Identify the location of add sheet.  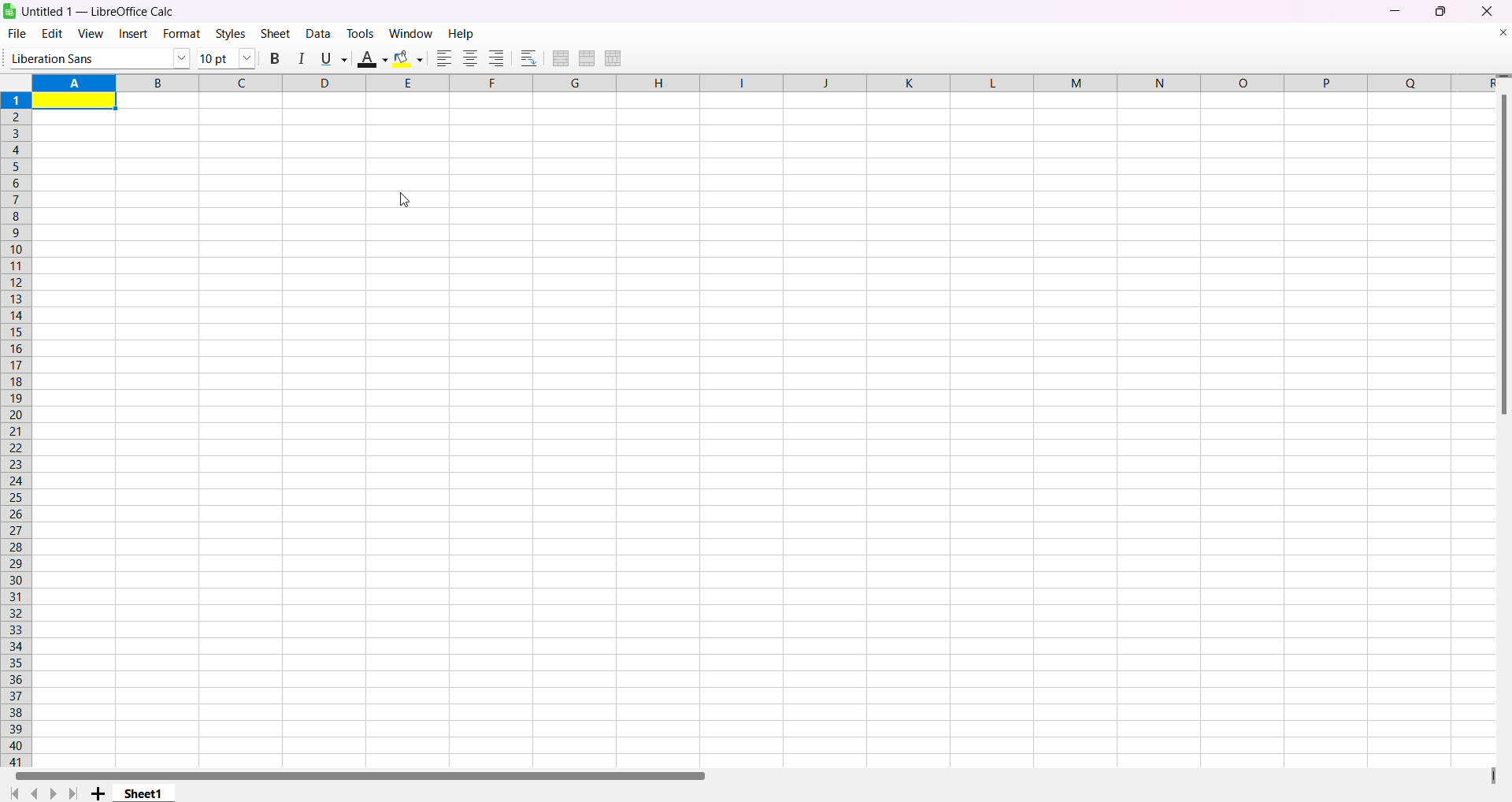
(97, 792).